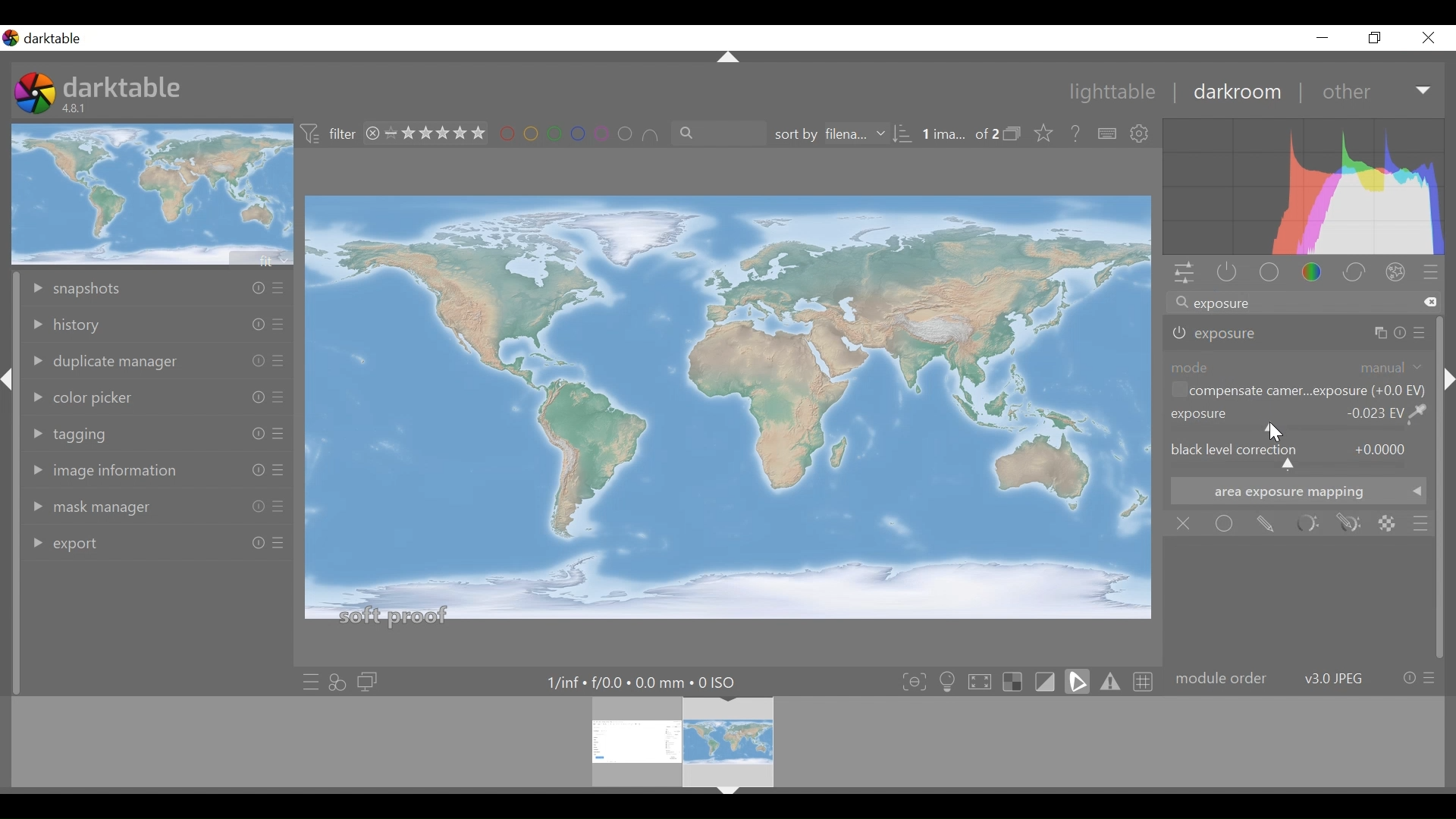  What do you see at coordinates (278, 435) in the screenshot?
I see `` at bounding box center [278, 435].